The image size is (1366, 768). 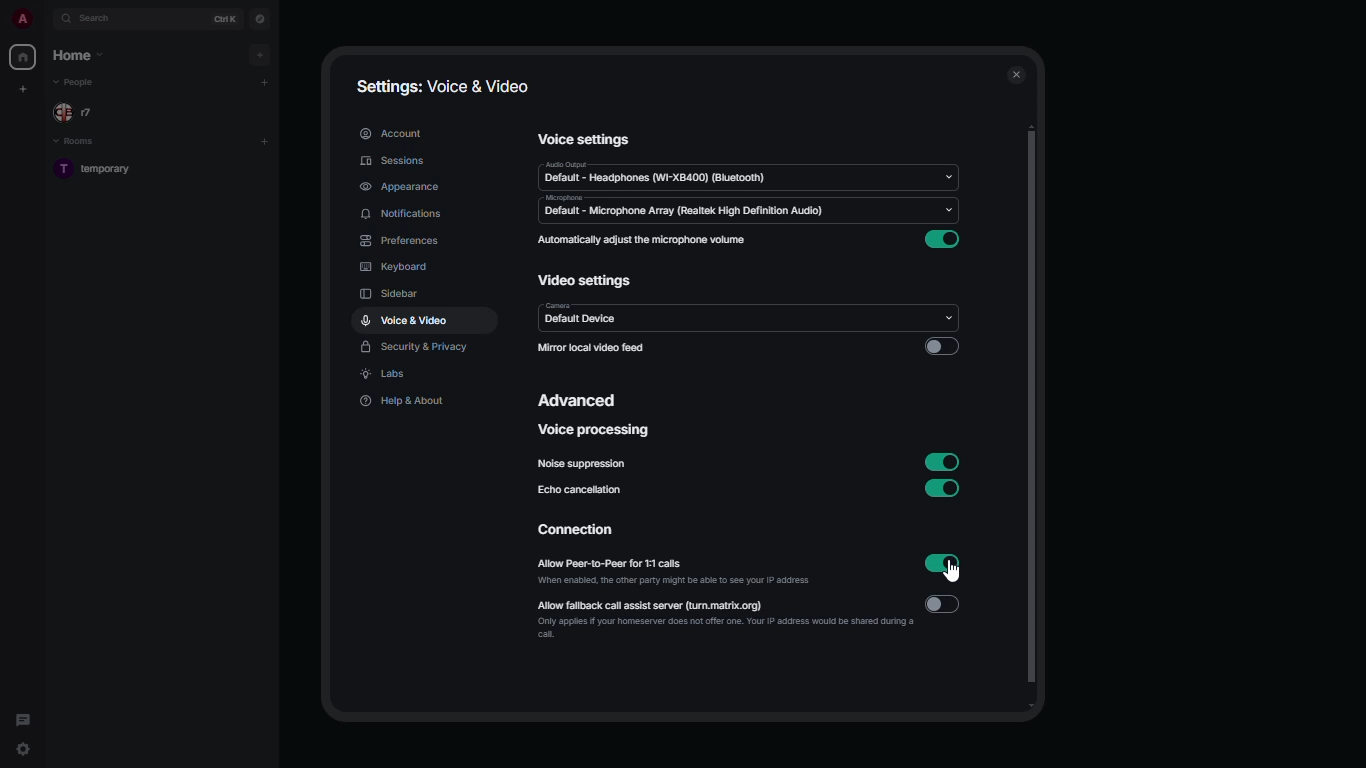 I want to click on add, so click(x=264, y=140).